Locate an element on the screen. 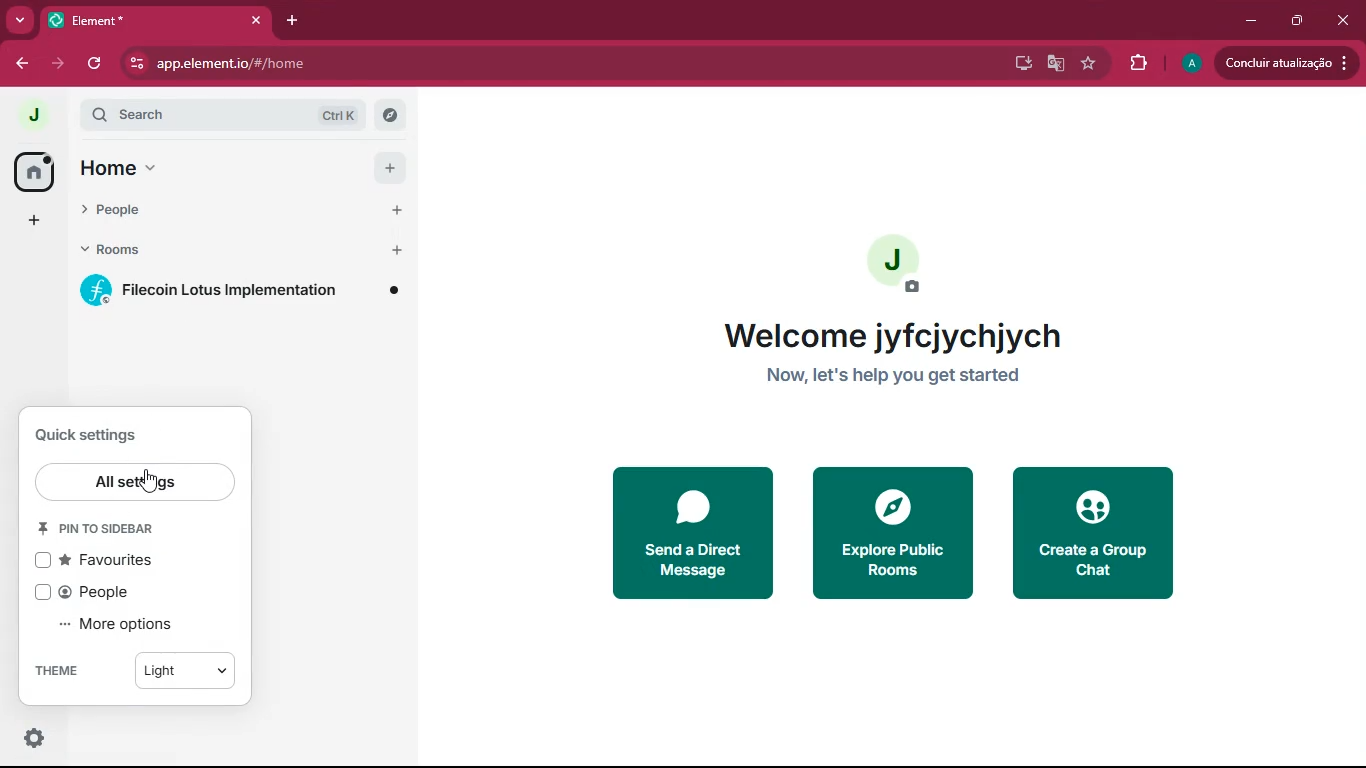 This screenshot has width=1366, height=768. quick settings is located at coordinates (105, 434).